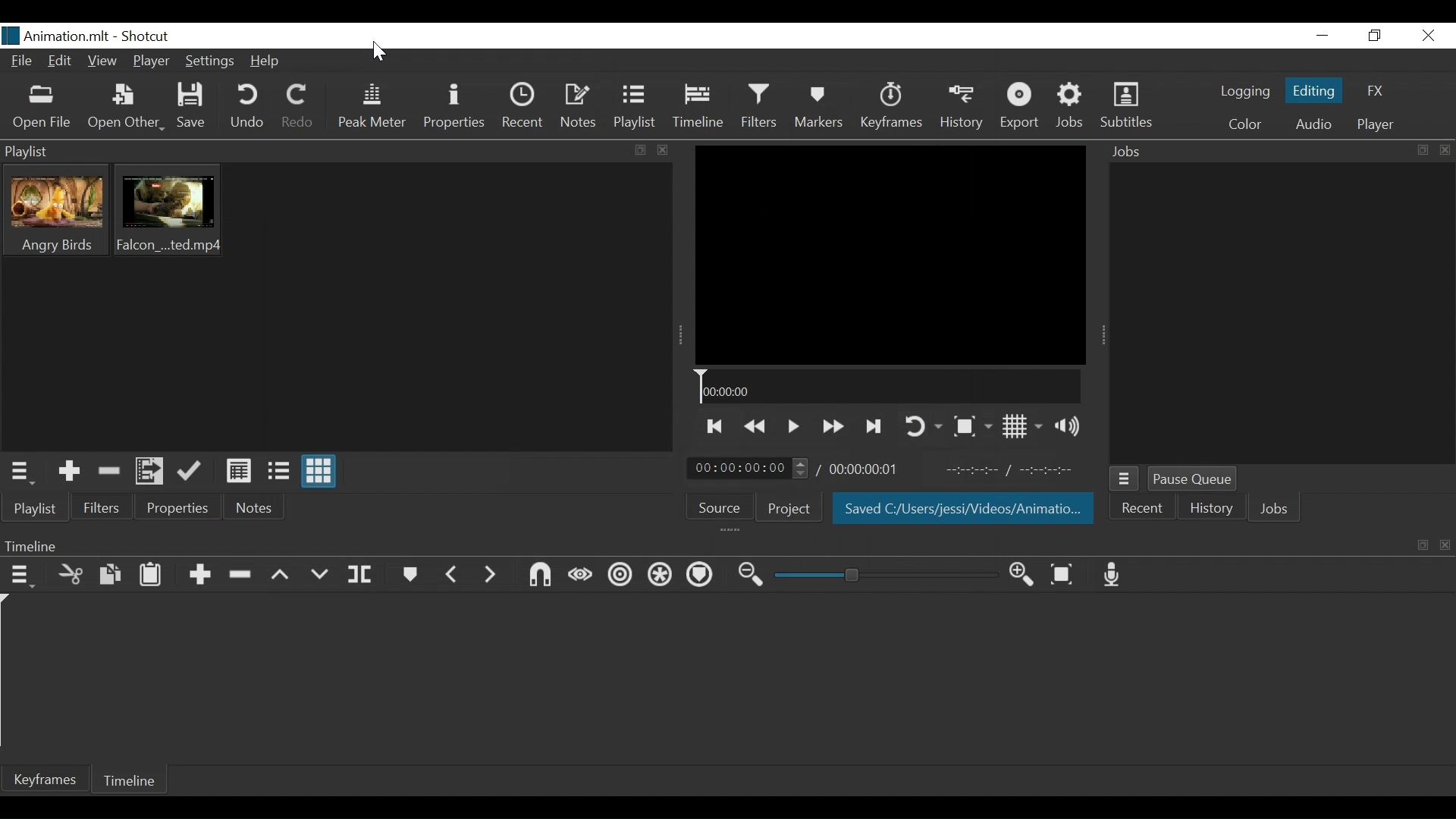 The image size is (1456, 819). Describe the element at coordinates (1021, 106) in the screenshot. I see `Export` at that location.